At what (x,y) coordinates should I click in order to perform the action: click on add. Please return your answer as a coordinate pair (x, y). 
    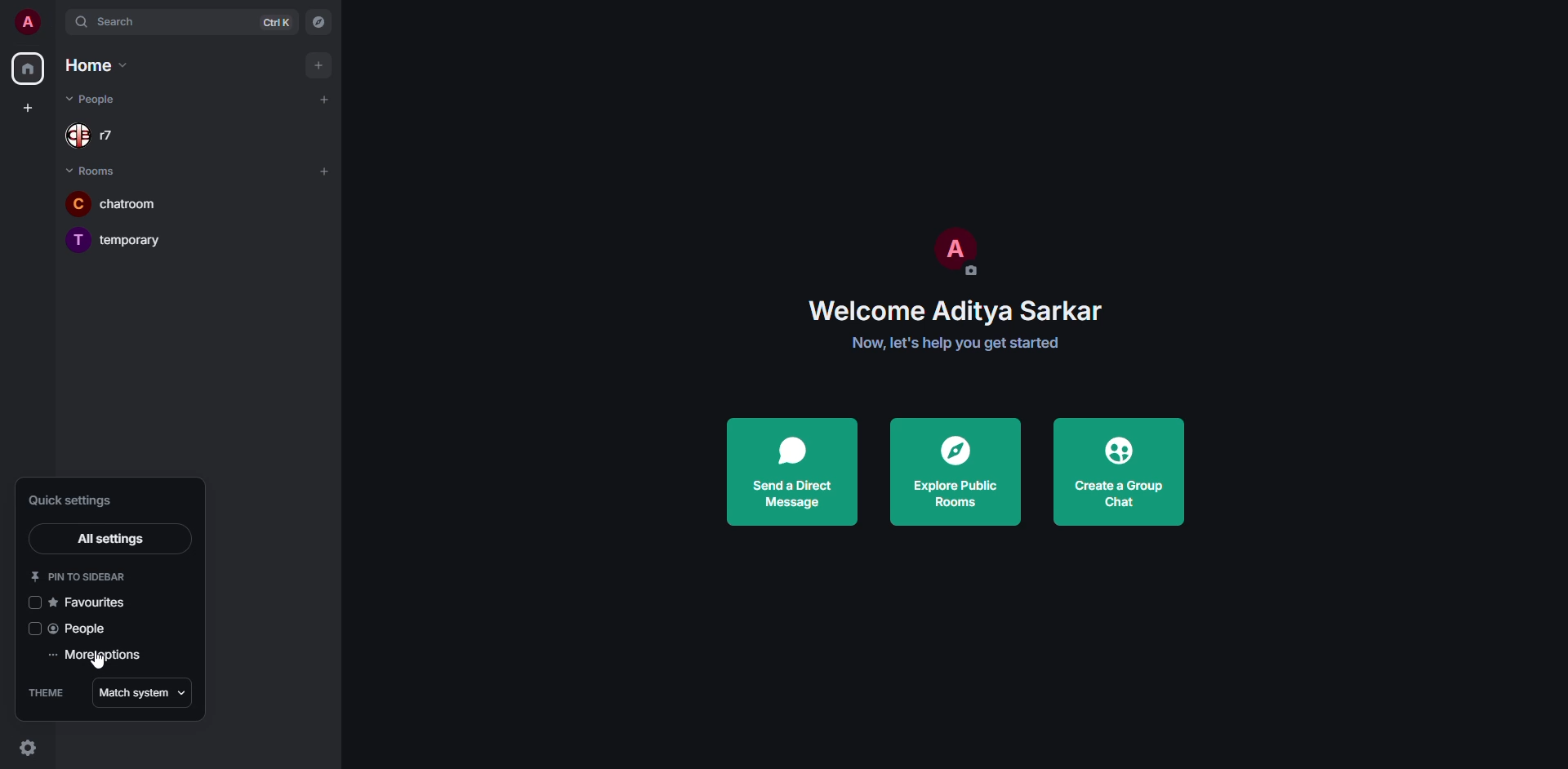
    Looking at the image, I should click on (318, 67).